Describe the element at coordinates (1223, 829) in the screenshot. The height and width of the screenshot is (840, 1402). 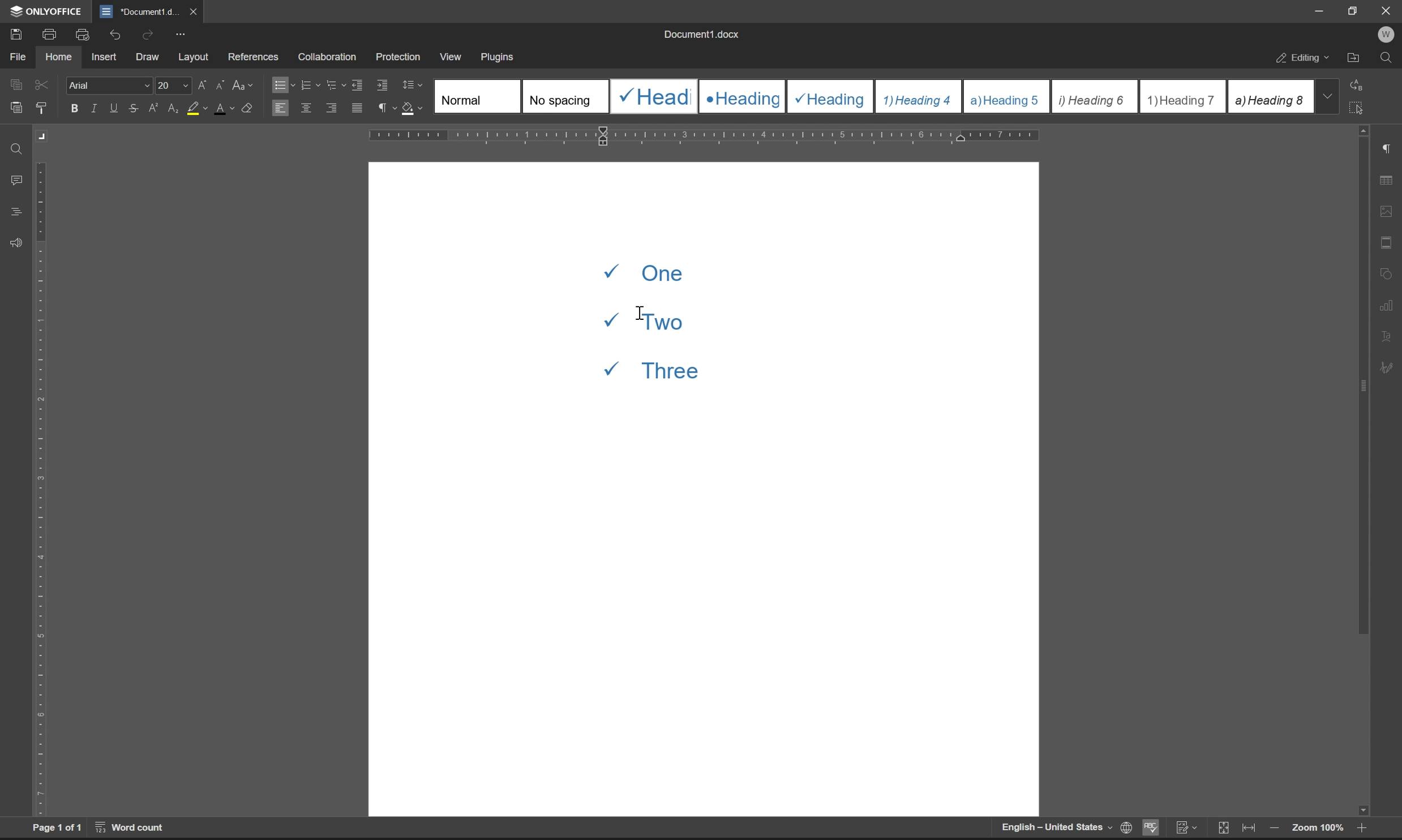
I see `fit to slide` at that location.